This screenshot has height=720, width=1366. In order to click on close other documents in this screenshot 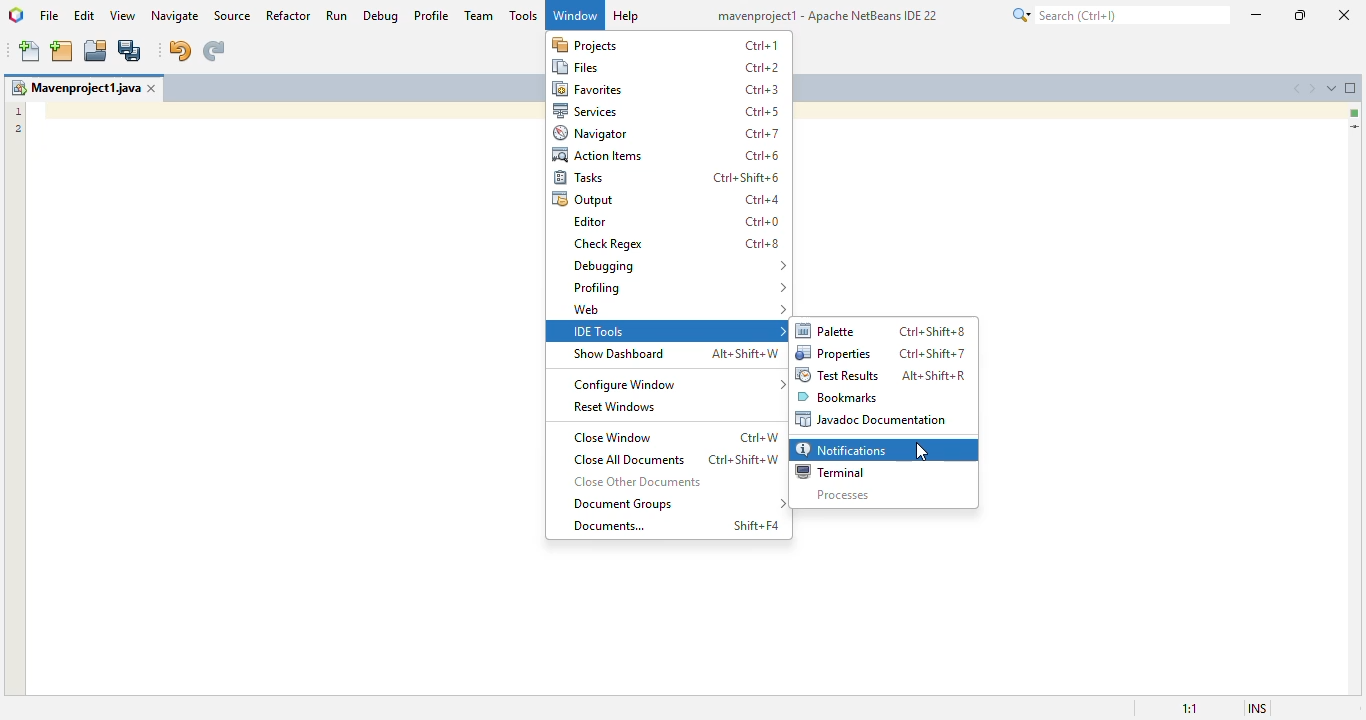, I will do `click(639, 481)`.